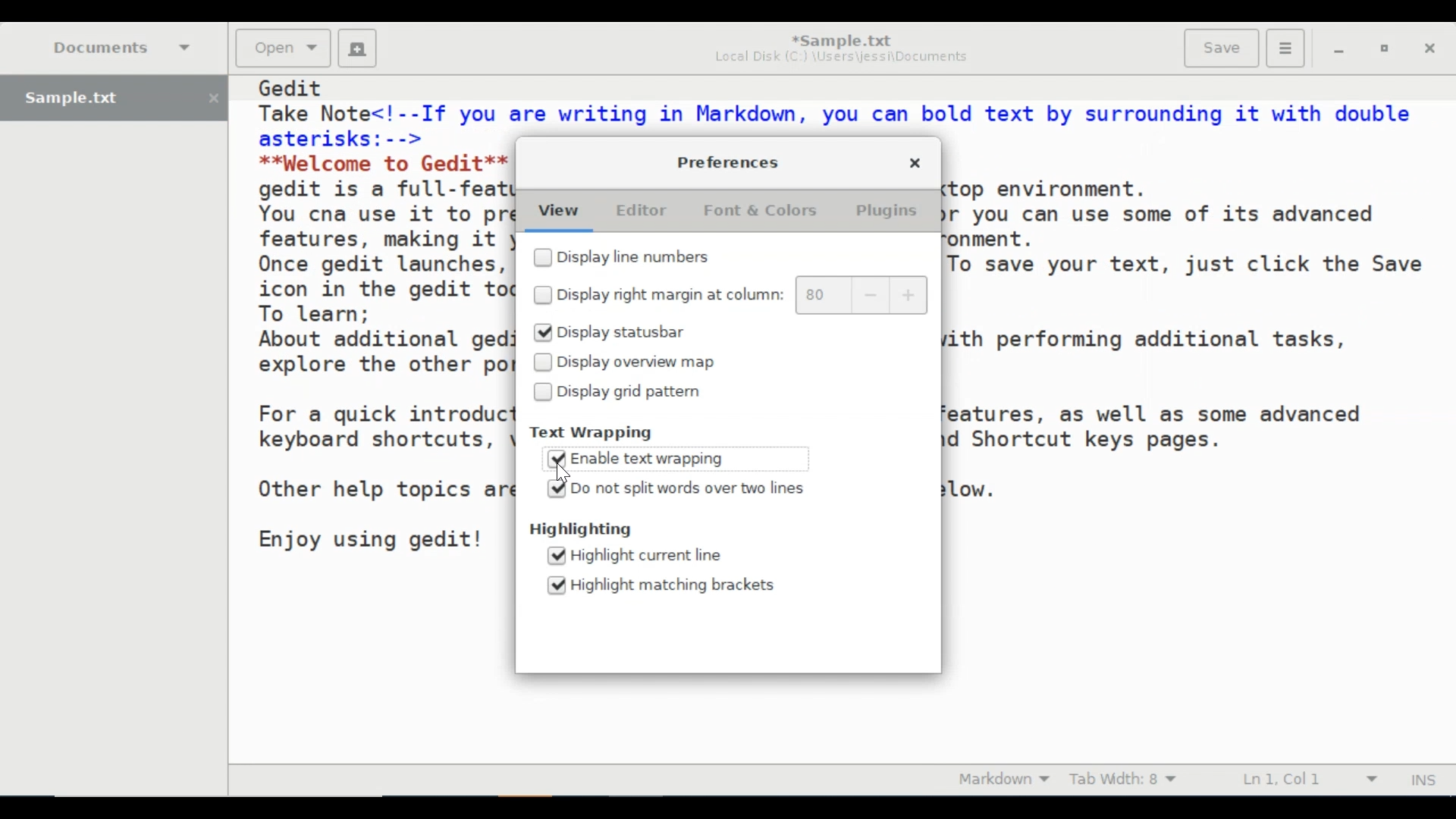 The width and height of the screenshot is (1456, 819). What do you see at coordinates (840, 58) in the screenshot?
I see `Local Disk (C:) \Users\jessi\Documents` at bounding box center [840, 58].